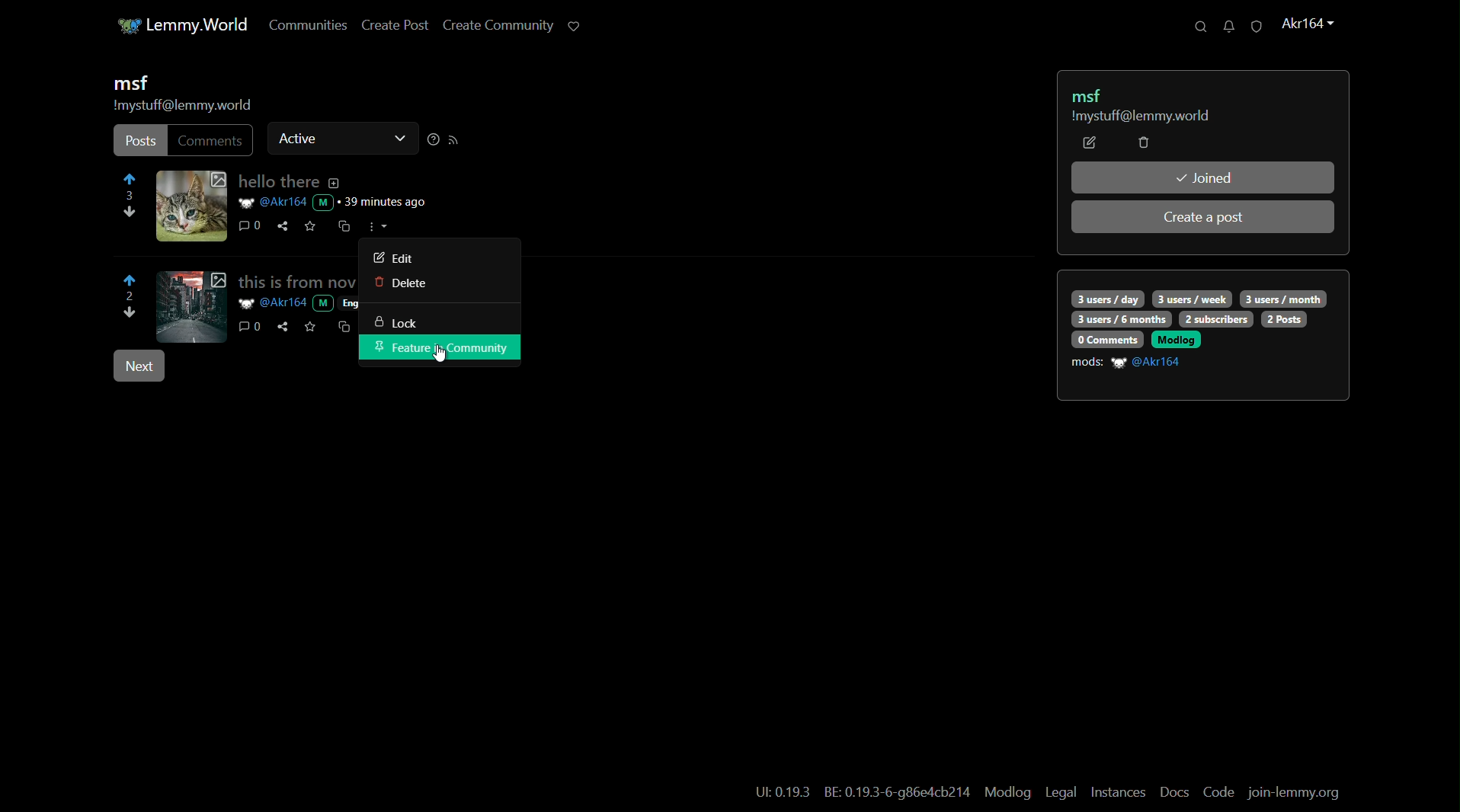 The height and width of the screenshot is (812, 1460). What do you see at coordinates (343, 228) in the screenshot?
I see `cross post` at bounding box center [343, 228].